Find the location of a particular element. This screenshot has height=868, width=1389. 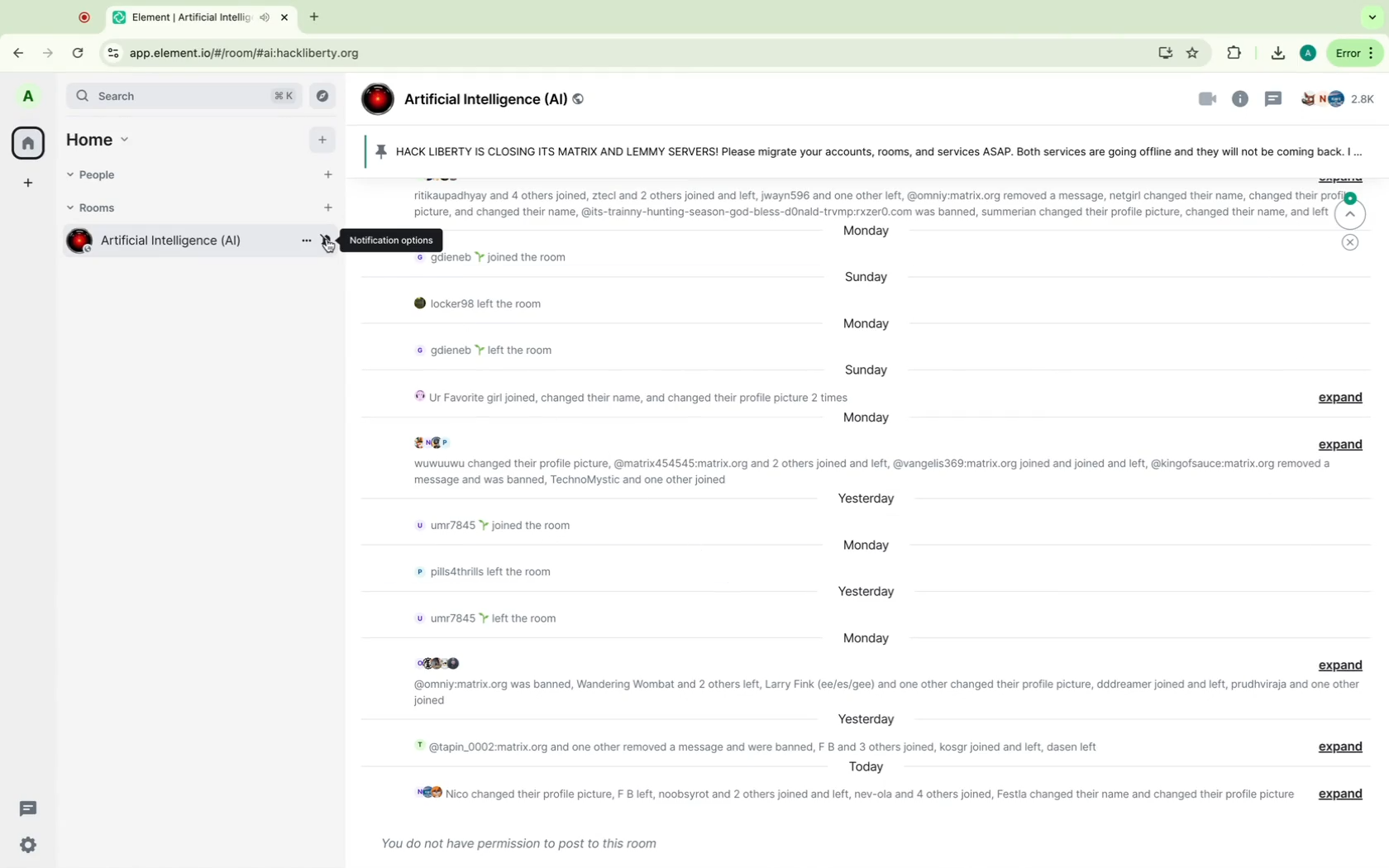

message is located at coordinates (874, 203).